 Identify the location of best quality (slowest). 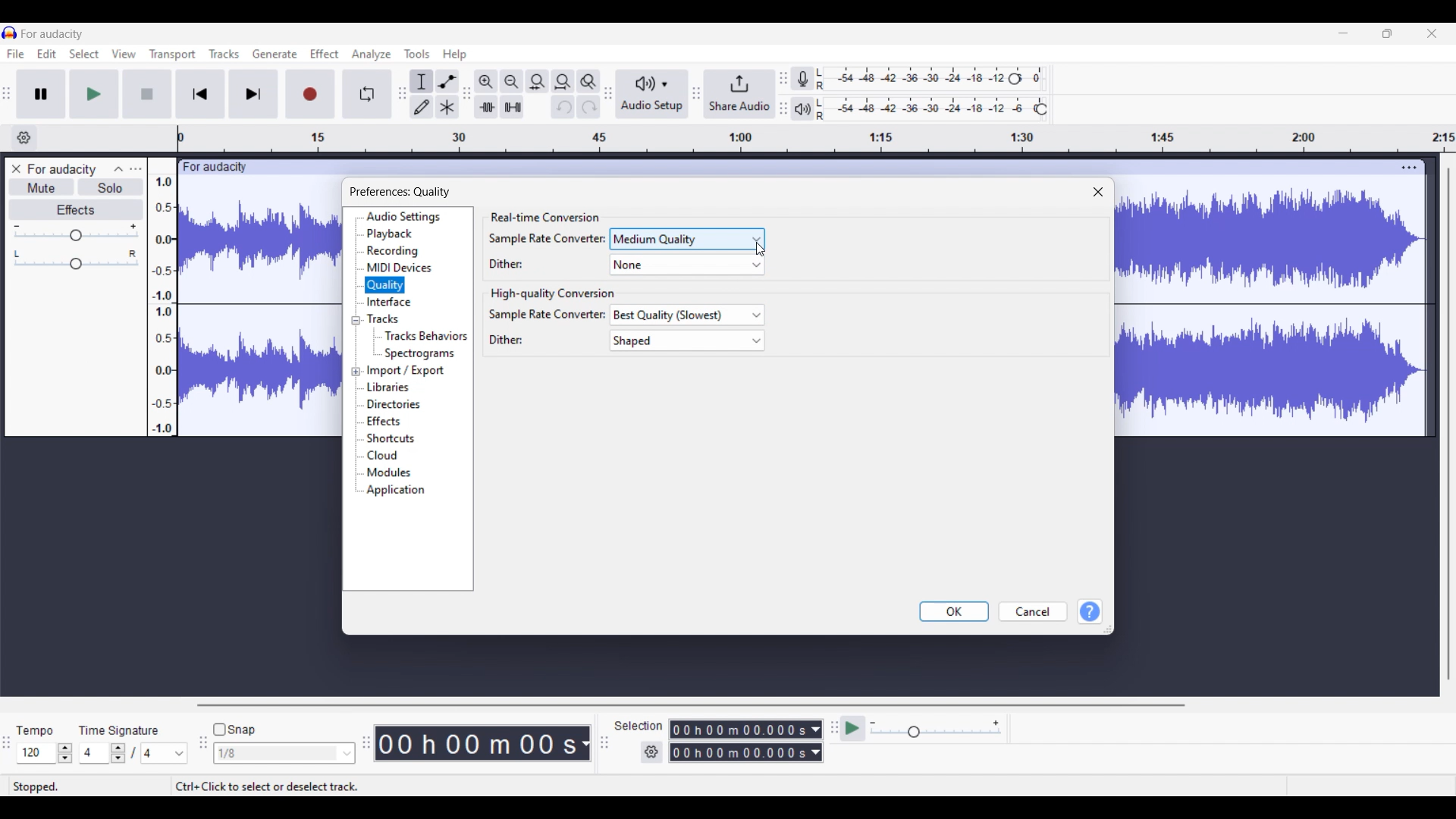
(690, 315).